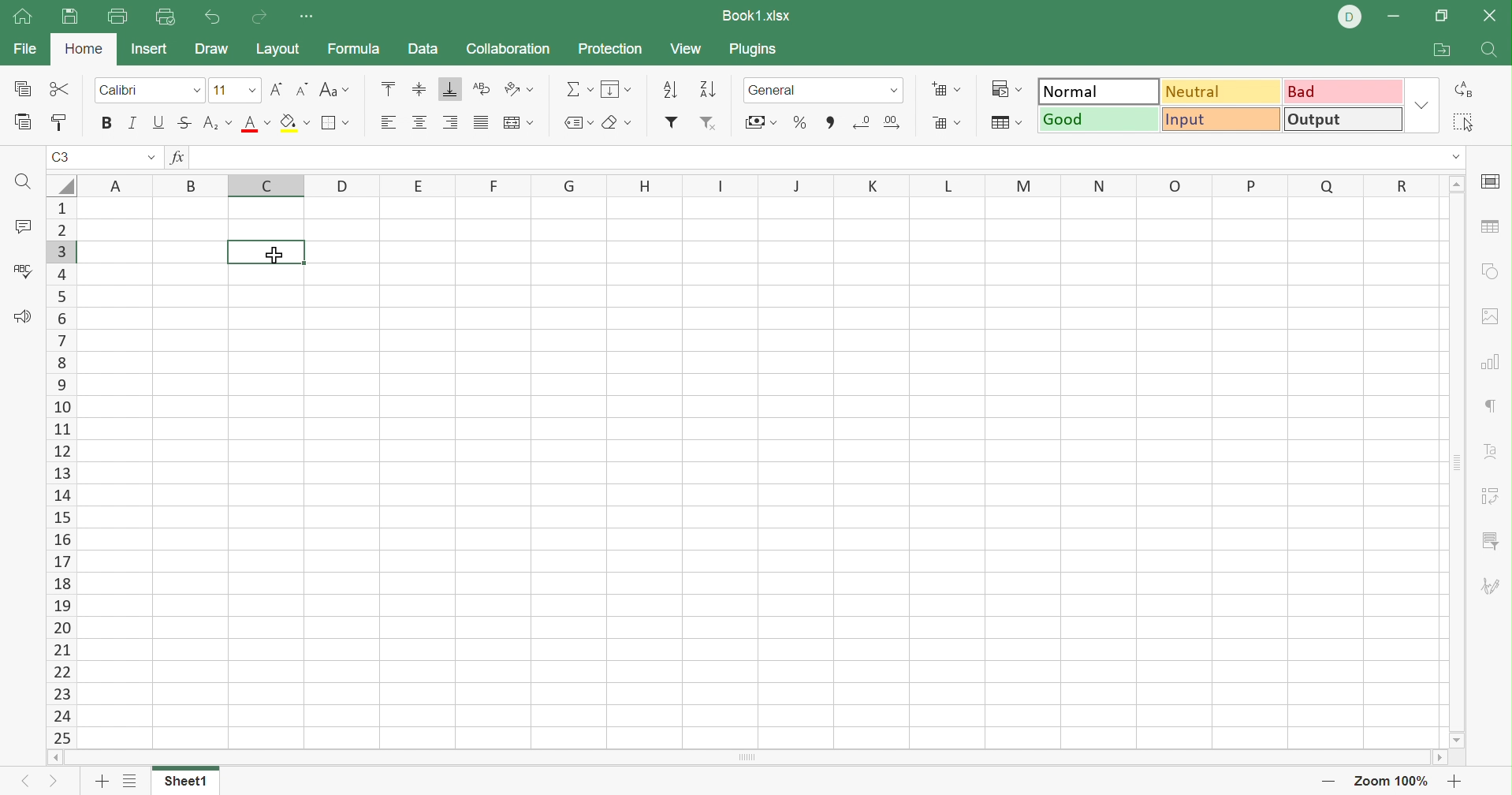 The width and height of the screenshot is (1512, 795). Describe the element at coordinates (749, 757) in the screenshot. I see `Scroll Bar` at that location.